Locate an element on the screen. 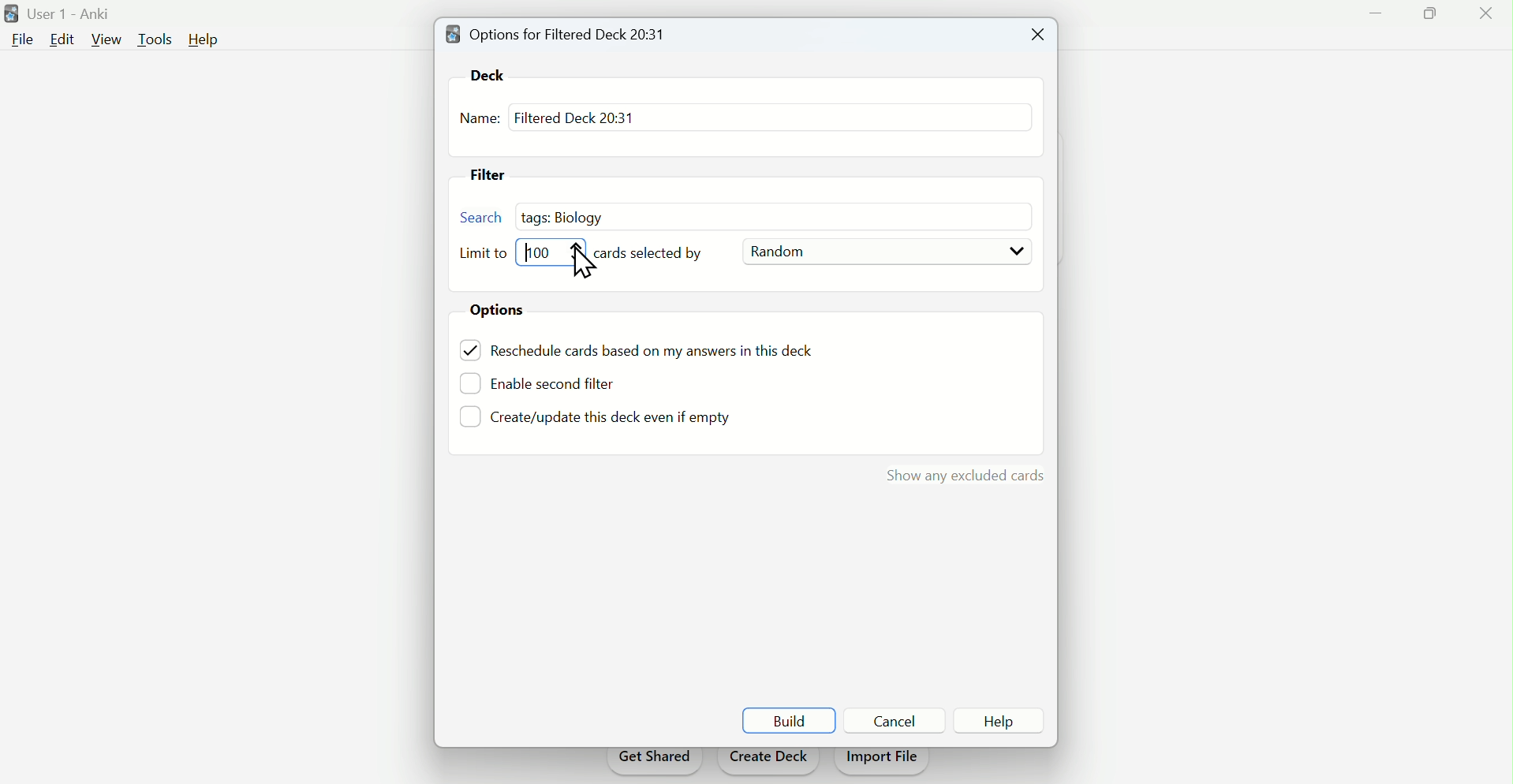 Image resolution: width=1513 pixels, height=784 pixels. Limit to is located at coordinates (486, 254).